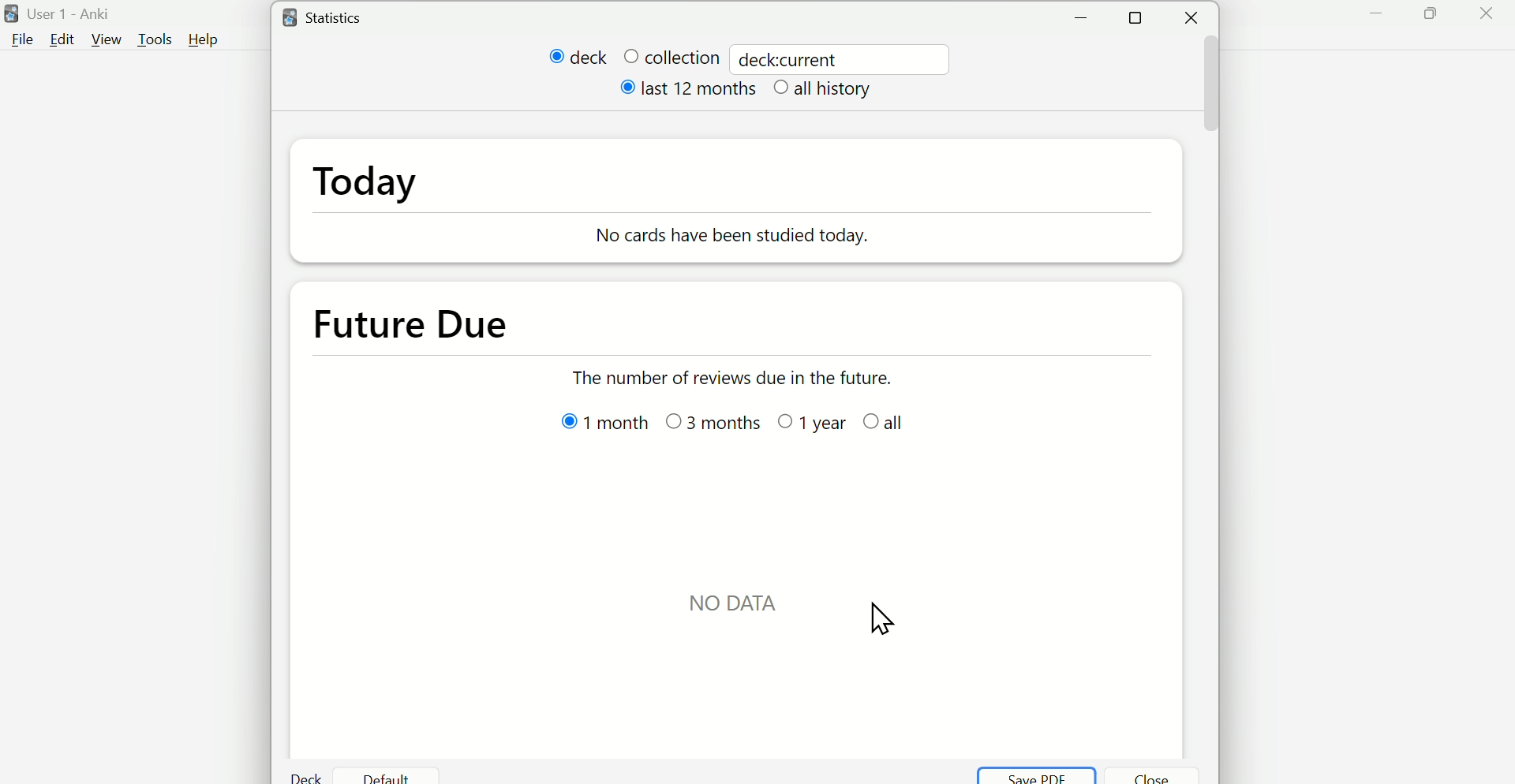 Image resolution: width=1515 pixels, height=784 pixels. I want to click on The number of reviews due in the future, so click(728, 375).